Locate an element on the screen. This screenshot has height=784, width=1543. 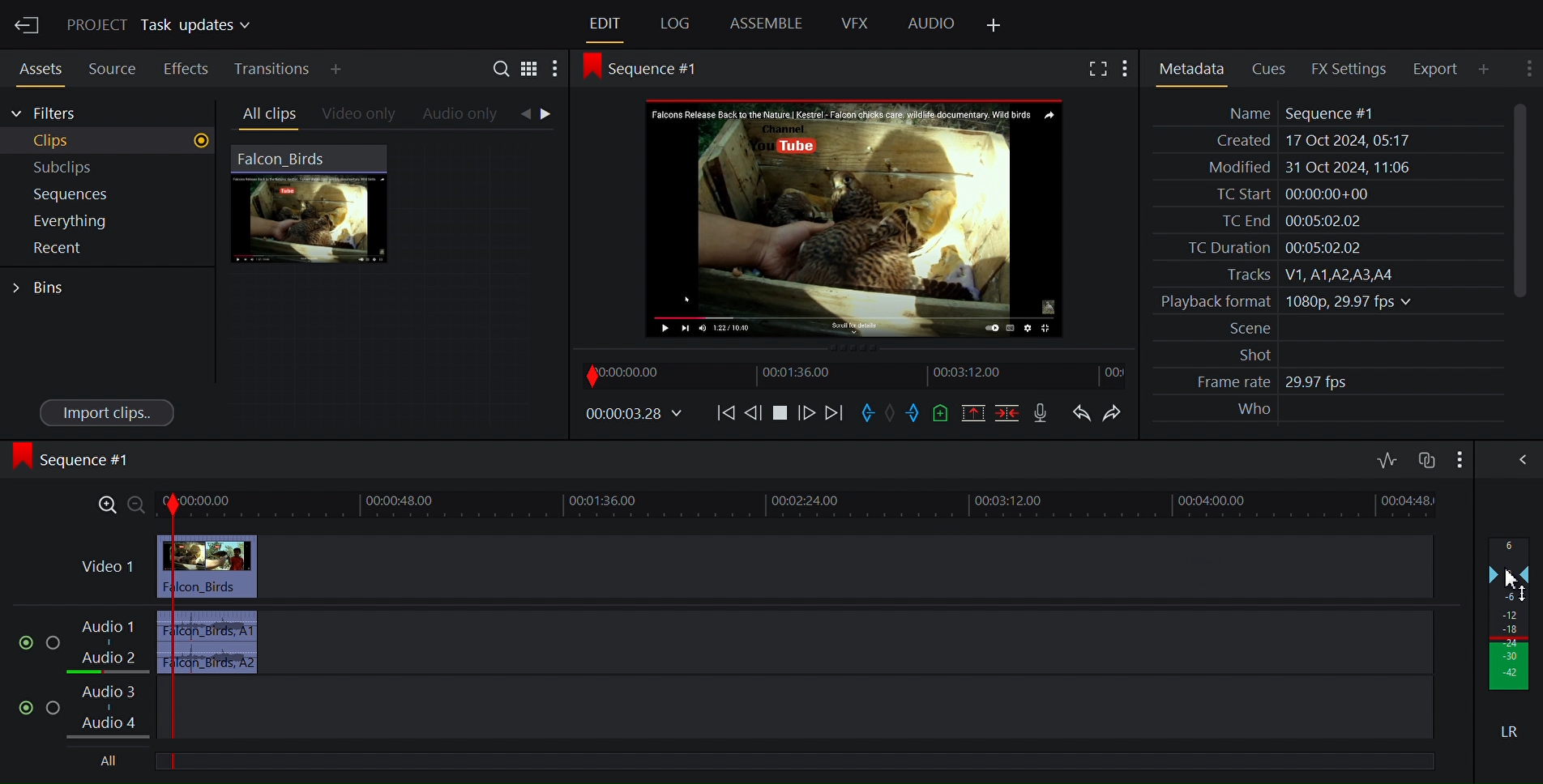
Zoom out is located at coordinates (138, 505).